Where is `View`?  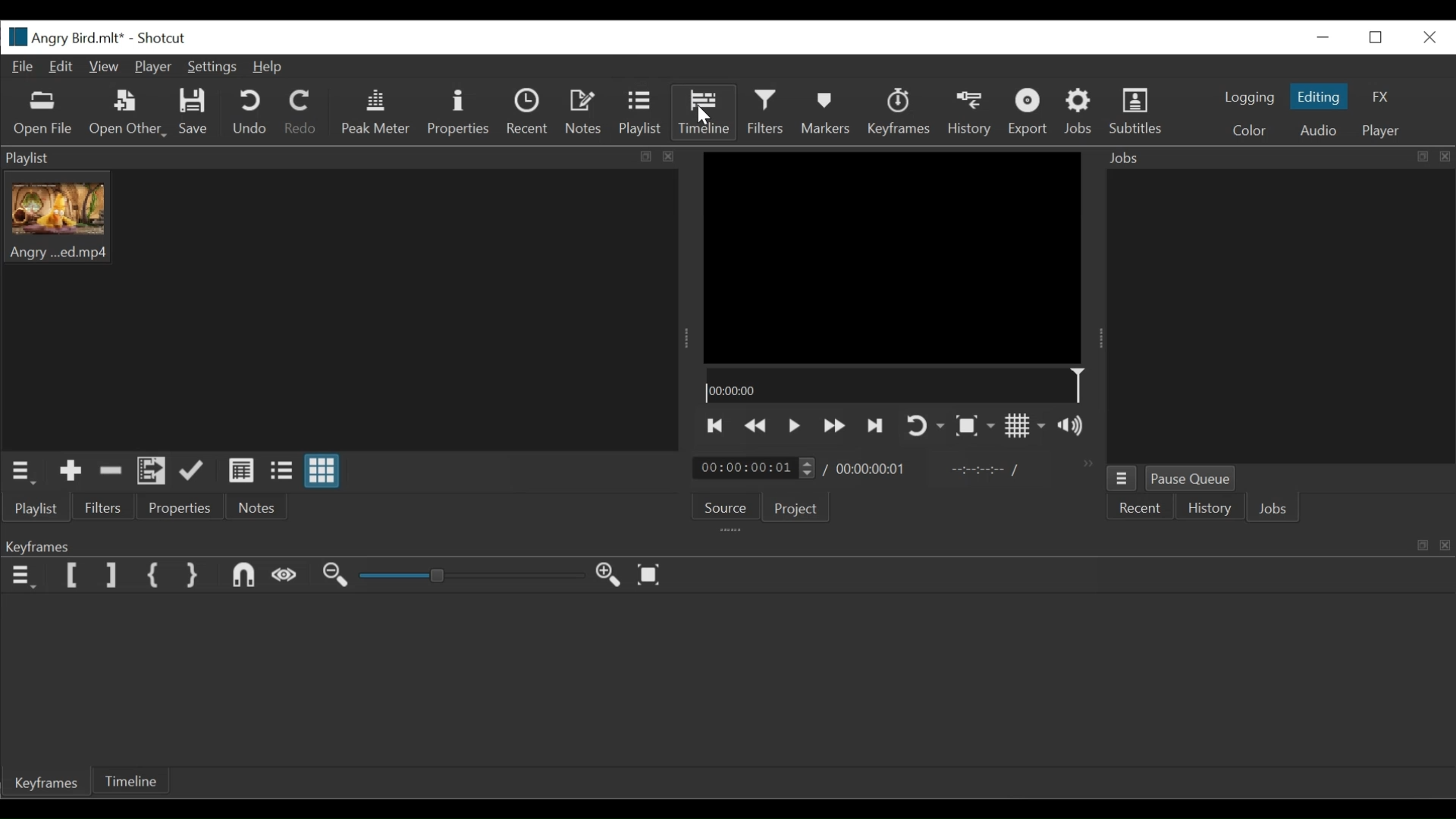
View is located at coordinates (105, 67).